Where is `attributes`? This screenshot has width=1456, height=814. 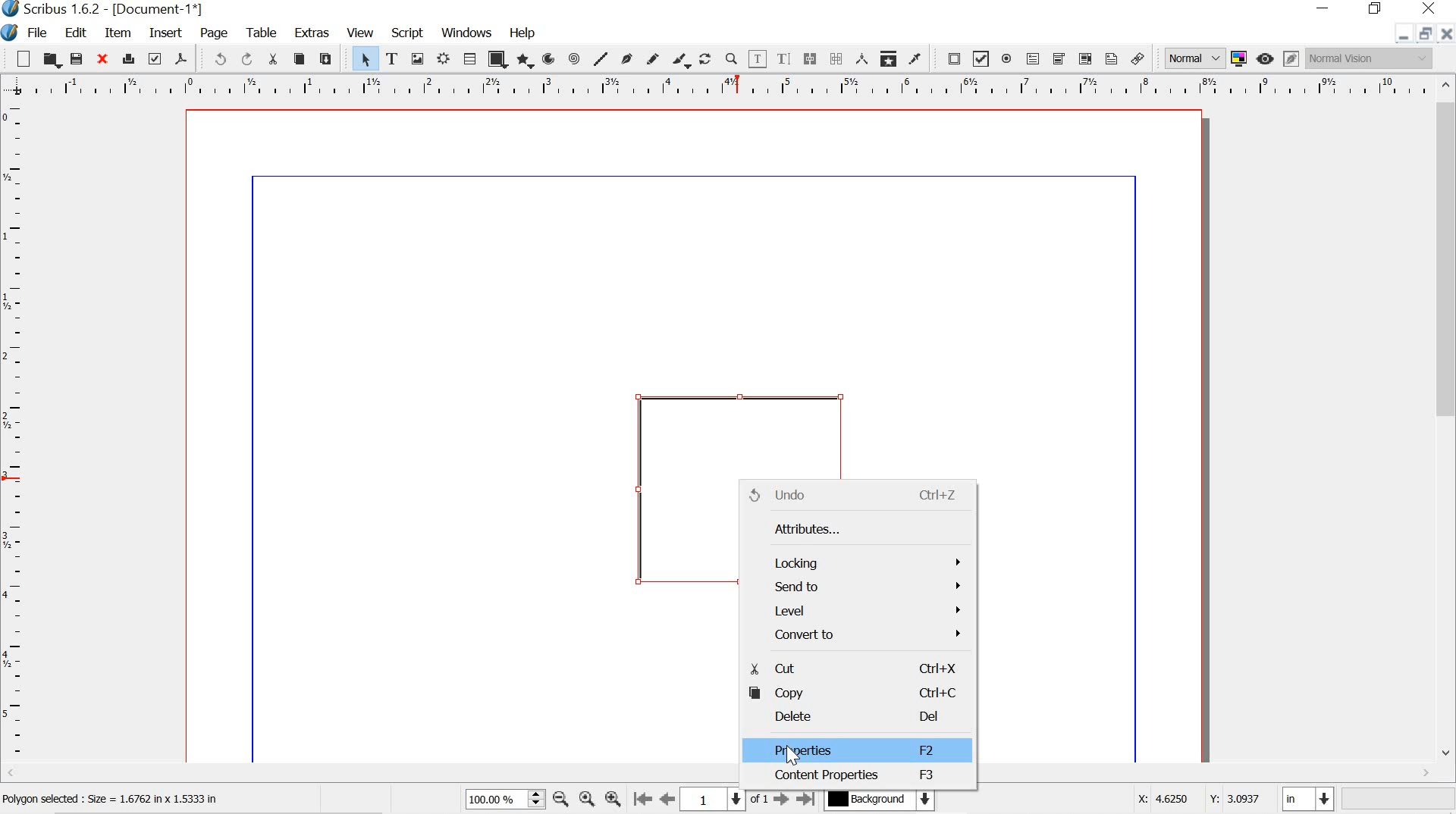
attributes is located at coordinates (849, 528).